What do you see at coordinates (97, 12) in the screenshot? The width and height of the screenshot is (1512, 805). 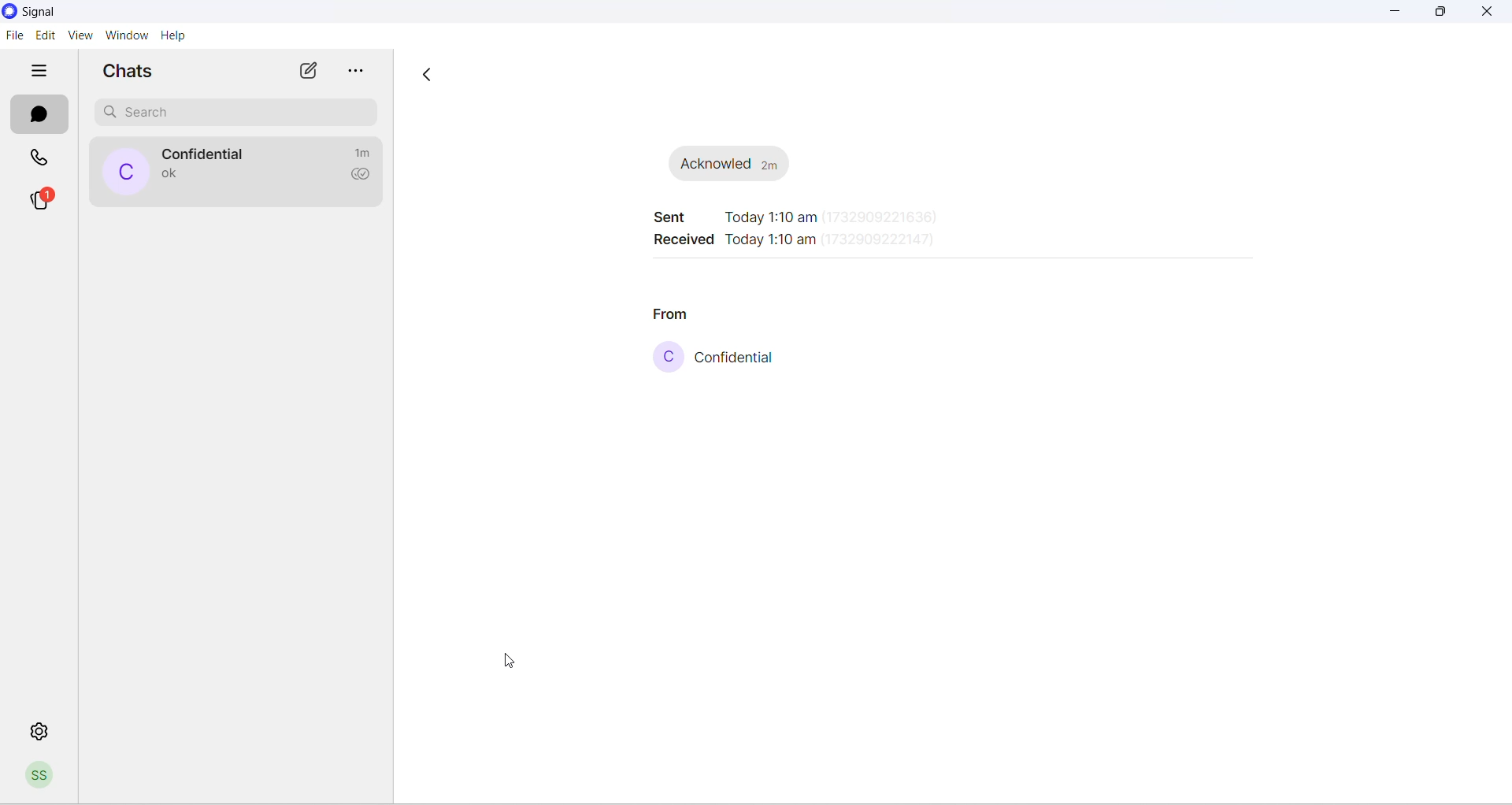 I see `application name and logo` at bounding box center [97, 12].